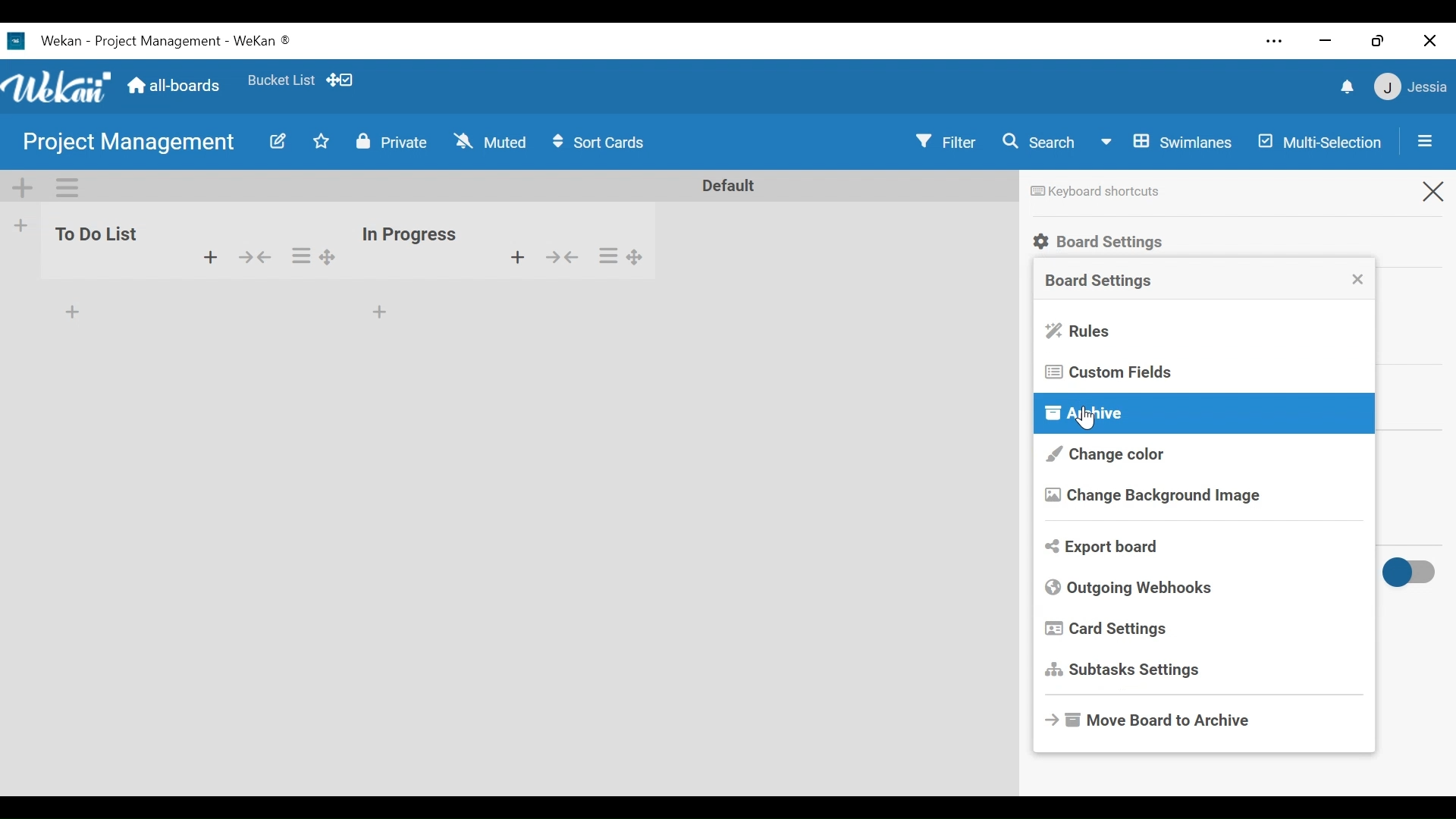 Image resolution: width=1456 pixels, height=819 pixels. I want to click on restore, so click(1377, 40).